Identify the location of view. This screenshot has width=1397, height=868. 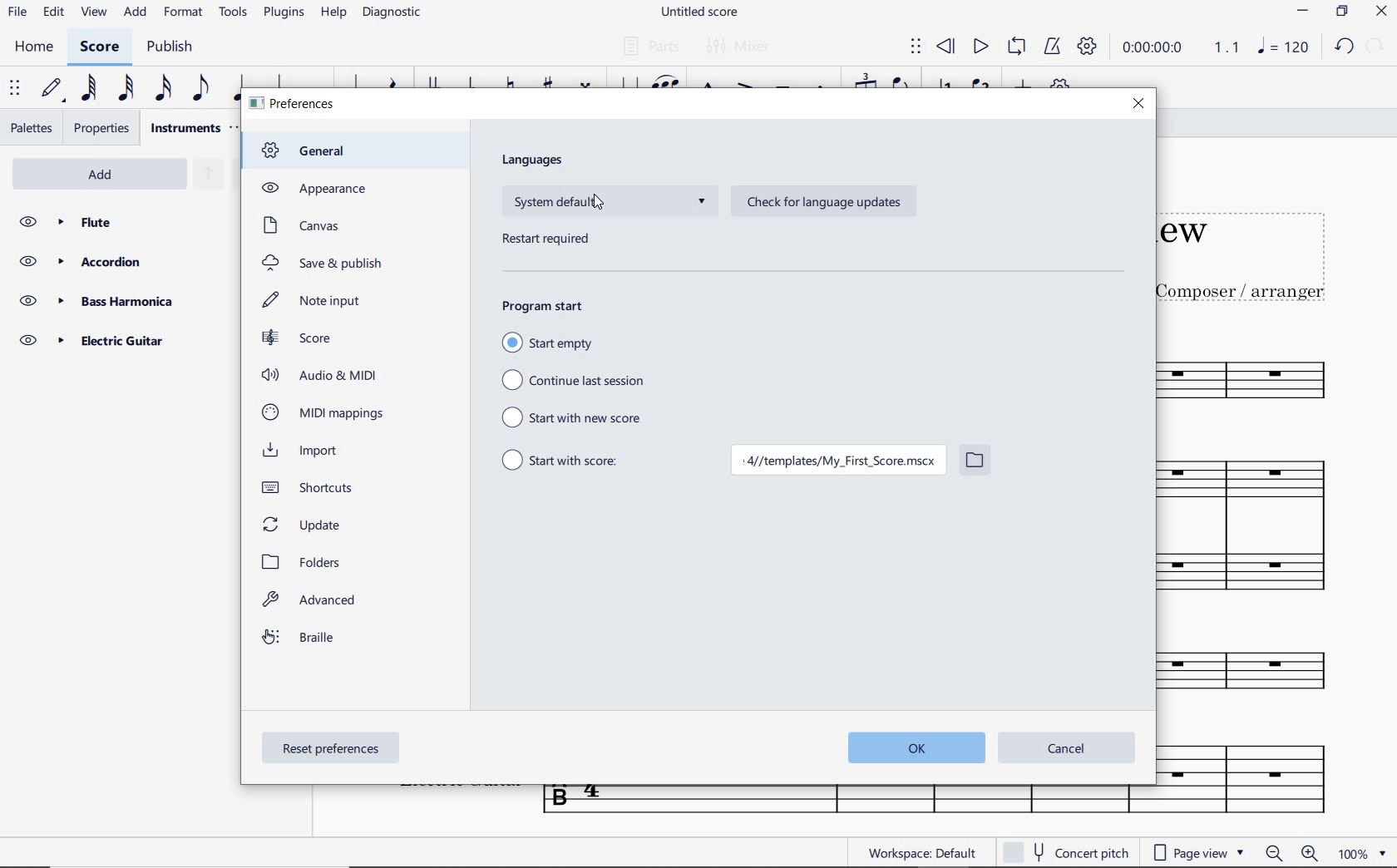
(91, 16).